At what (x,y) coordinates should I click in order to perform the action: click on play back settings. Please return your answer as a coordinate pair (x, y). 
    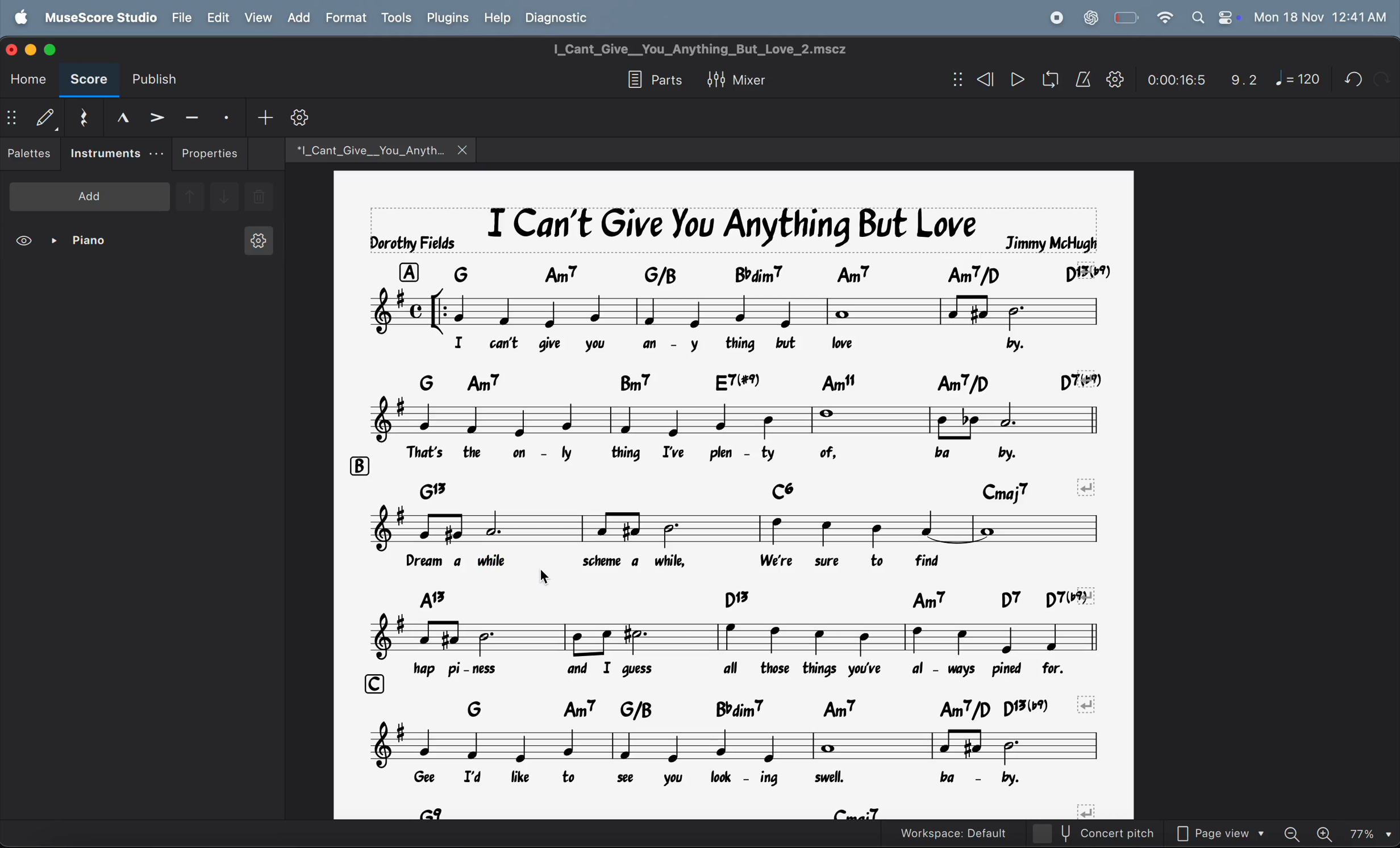
    Looking at the image, I should click on (1115, 81).